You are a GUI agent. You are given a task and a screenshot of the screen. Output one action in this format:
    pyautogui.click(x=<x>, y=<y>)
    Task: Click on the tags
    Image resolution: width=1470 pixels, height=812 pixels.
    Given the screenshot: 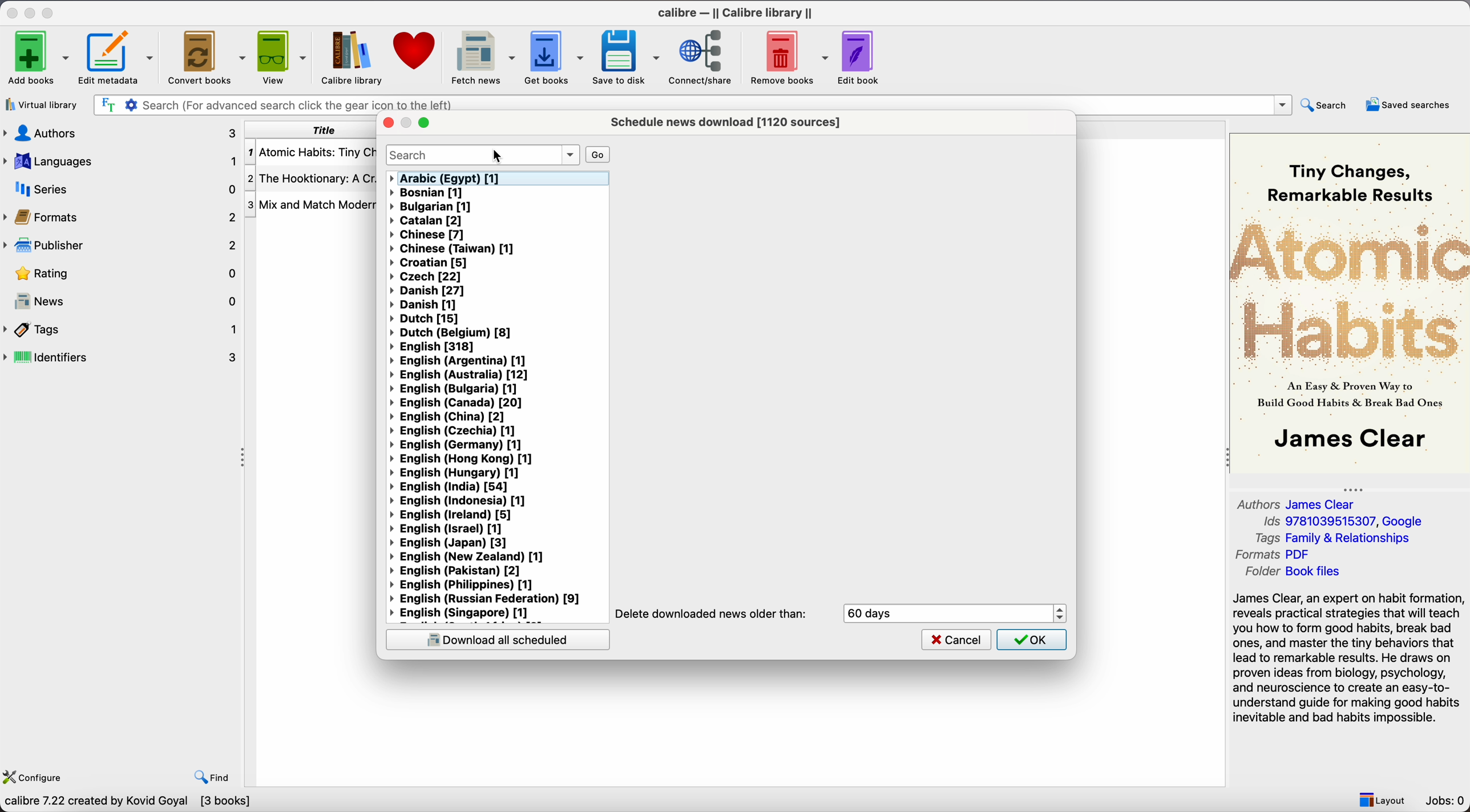 What is the action you would take?
    pyautogui.click(x=122, y=330)
    